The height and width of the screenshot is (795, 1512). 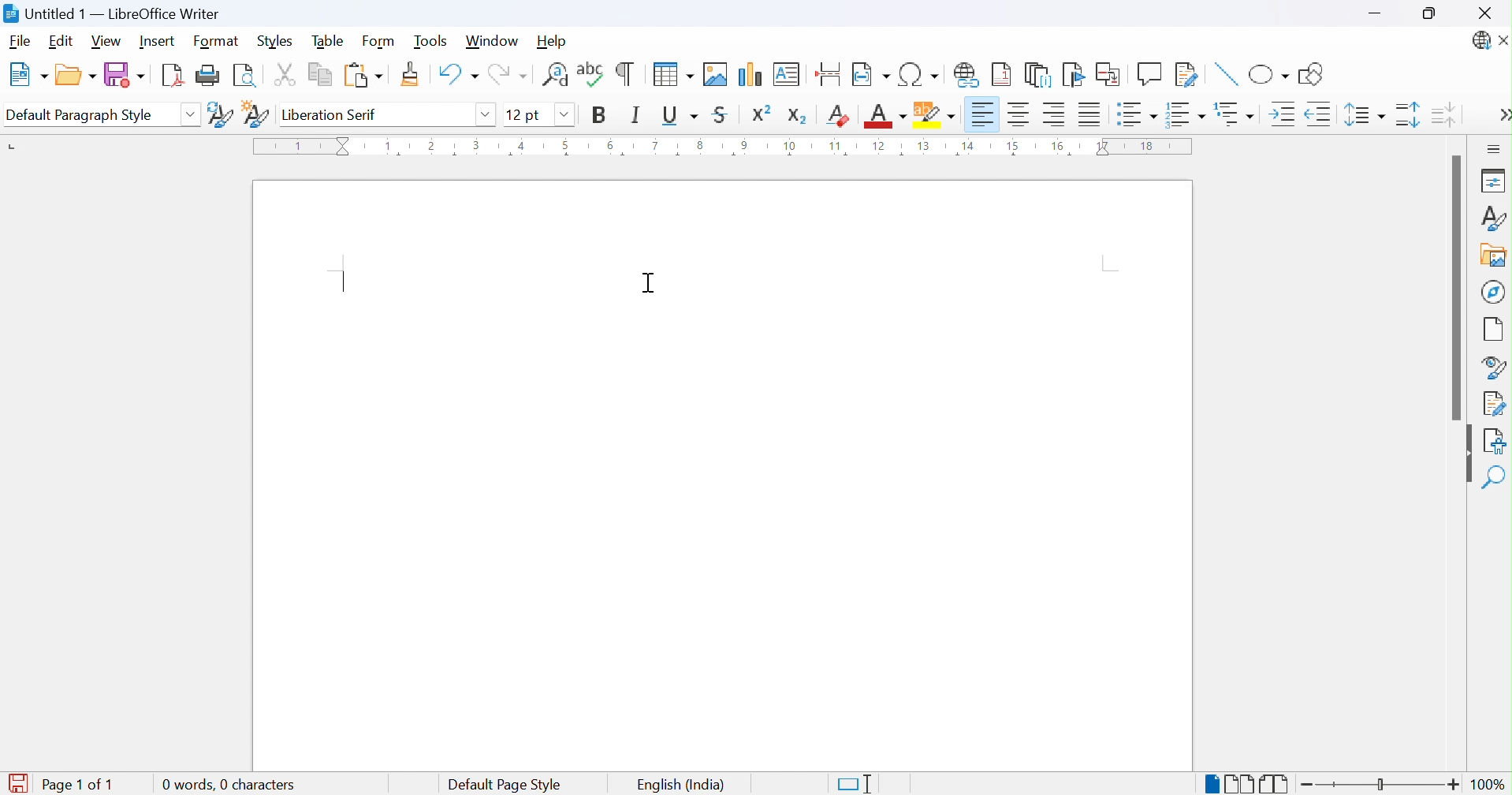 What do you see at coordinates (1444, 116) in the screenshot?
I see `Decrease paragraph spacing` at bounding box center [1444, 116].